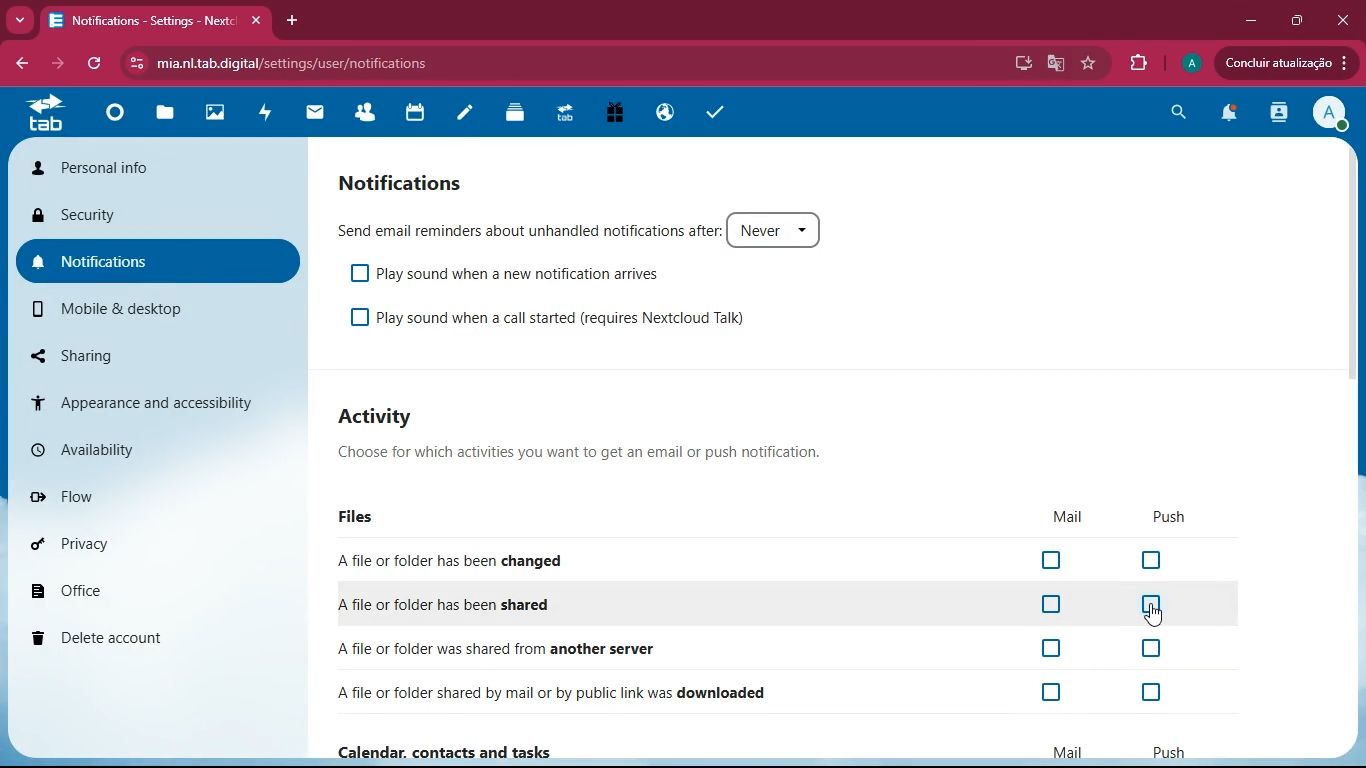  Describe the element at coordinates (161, 117) in the screenshot. I see `files` at that location.